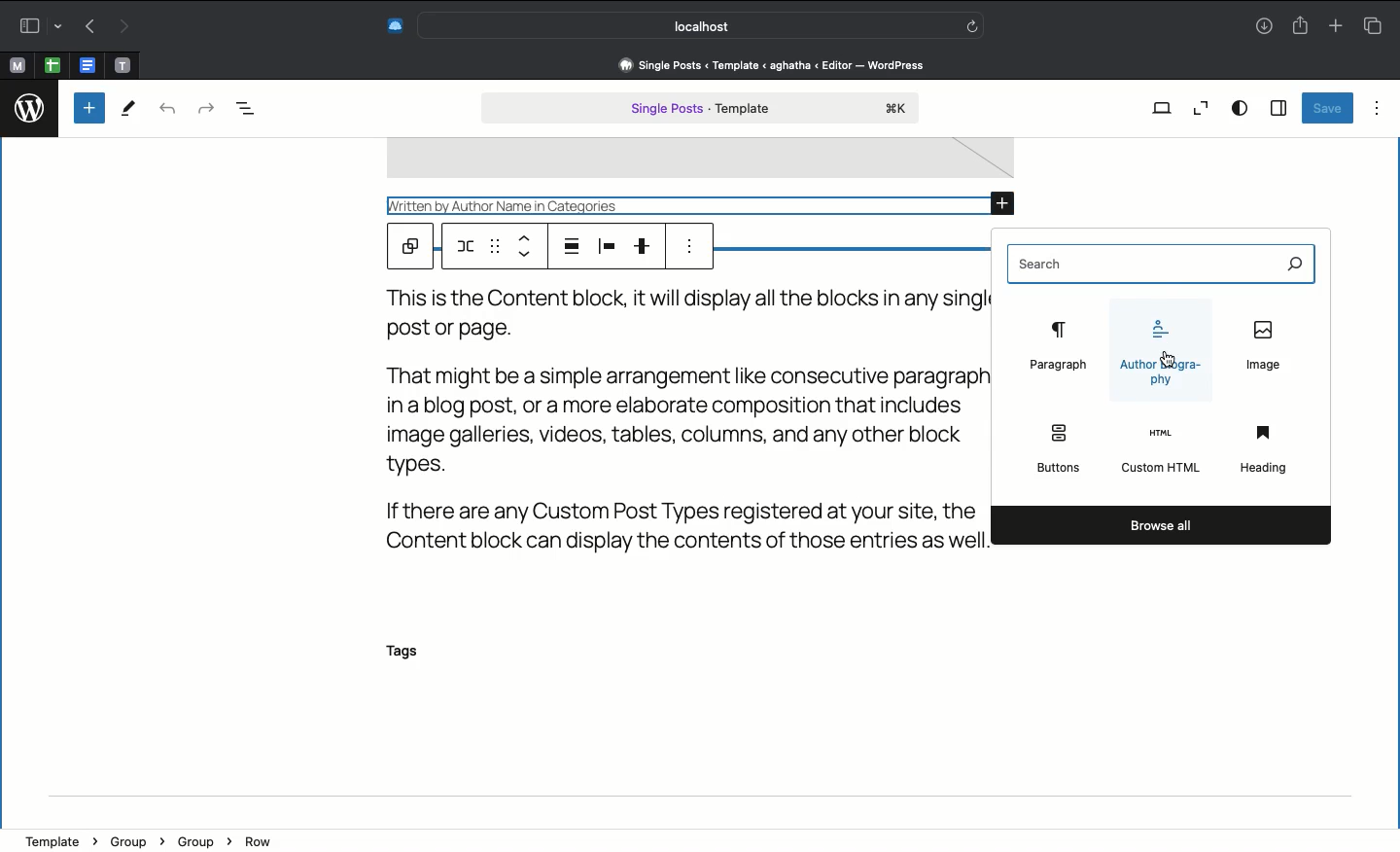 The height and width of the screenshot is (852, 1400). What do you see at coordinates (1163, 107) in the screenshot?
I see `View` at bounding box center [1163, 107].